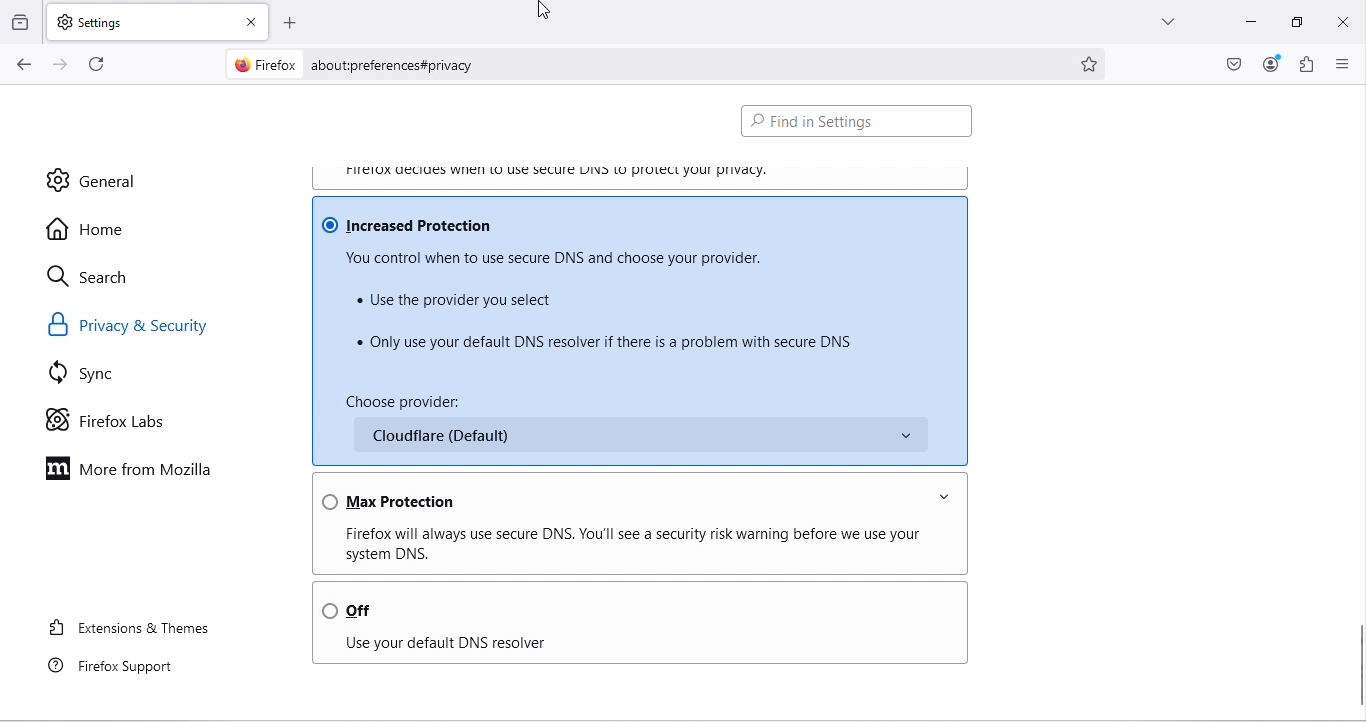  Describe the element at coordinates (638, 438) in the screenshot. I see `` at that location.